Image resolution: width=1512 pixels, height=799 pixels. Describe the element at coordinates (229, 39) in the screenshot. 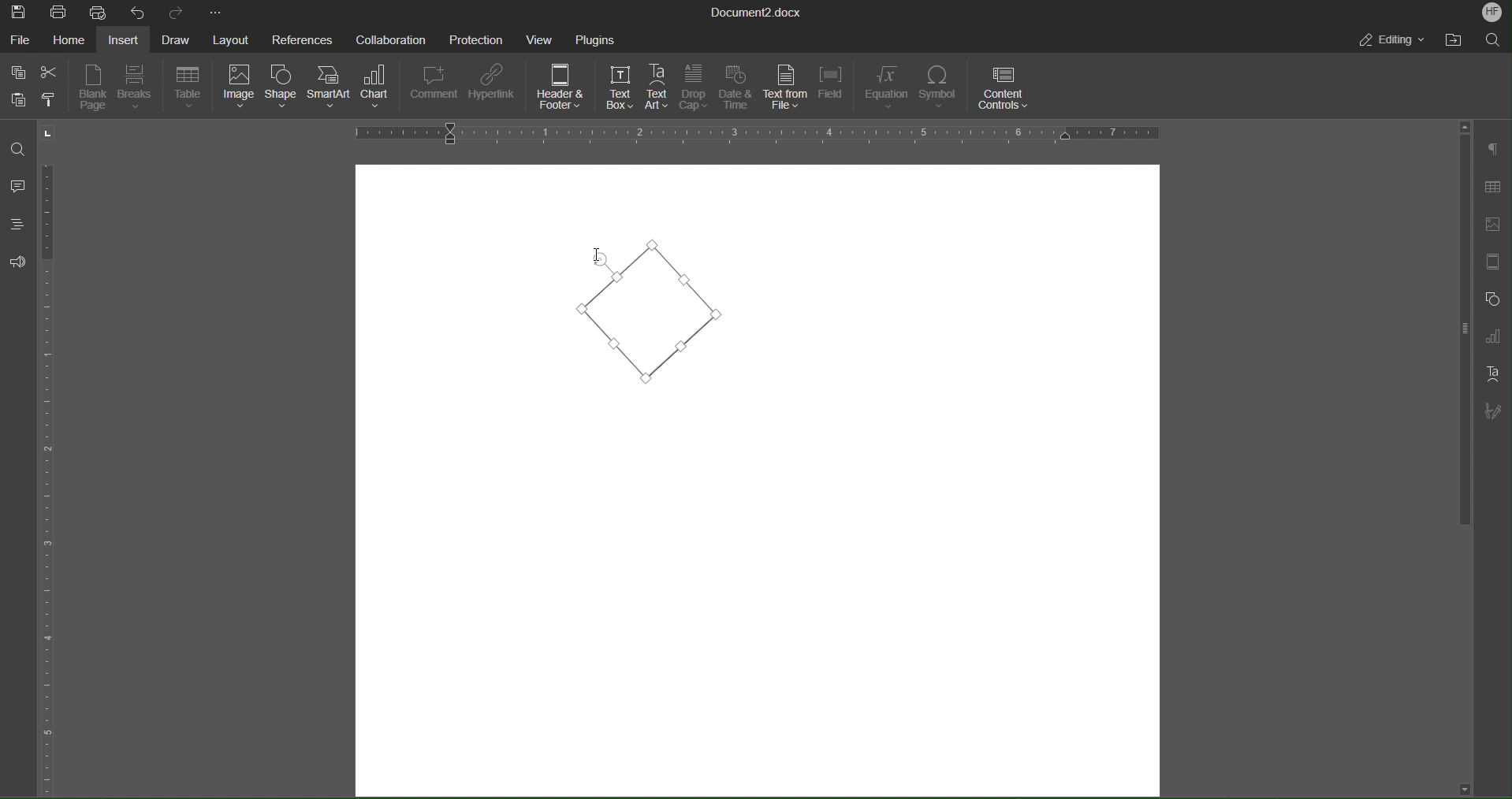

I see `Layout` at that location.